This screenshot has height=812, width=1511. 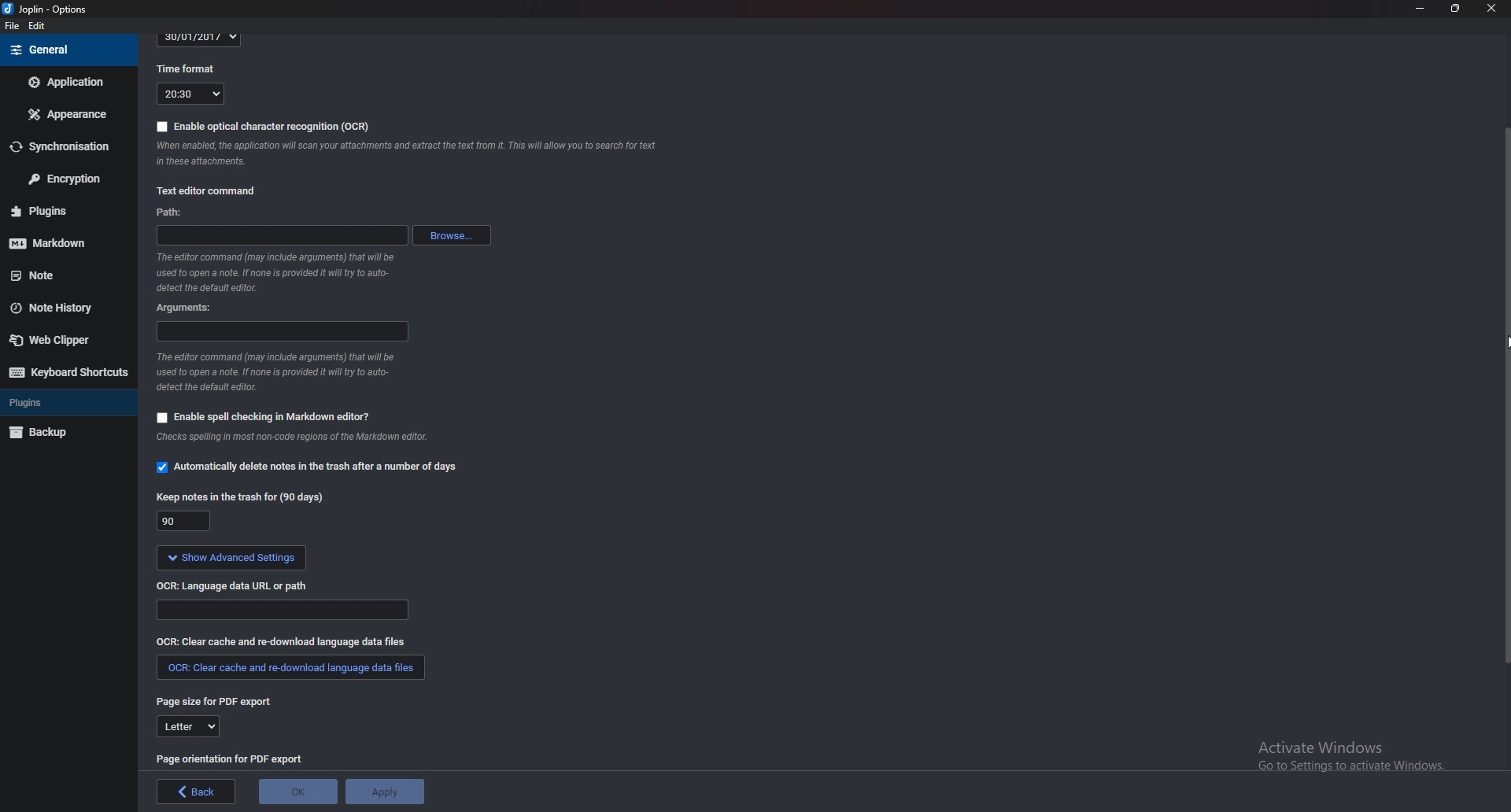 What do you see at coordinates (191, 68) in the screenshot?
I see `Time format` at bounding box center [191, 68].